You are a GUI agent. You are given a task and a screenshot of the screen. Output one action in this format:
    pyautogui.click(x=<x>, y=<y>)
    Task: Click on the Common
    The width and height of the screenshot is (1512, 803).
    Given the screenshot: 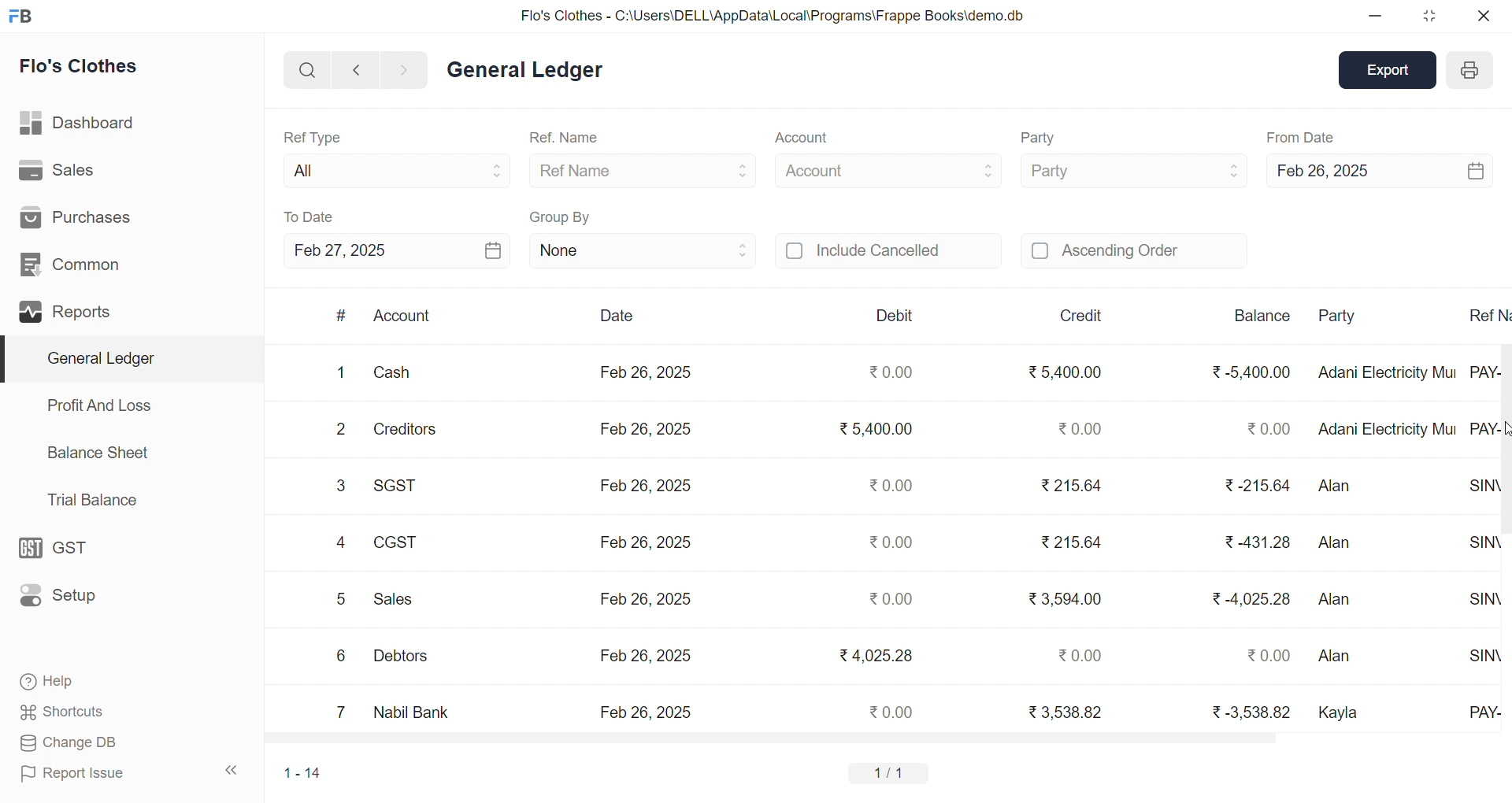 What is the action you would take?
    pyautogui.click(x=71, y=262)
    